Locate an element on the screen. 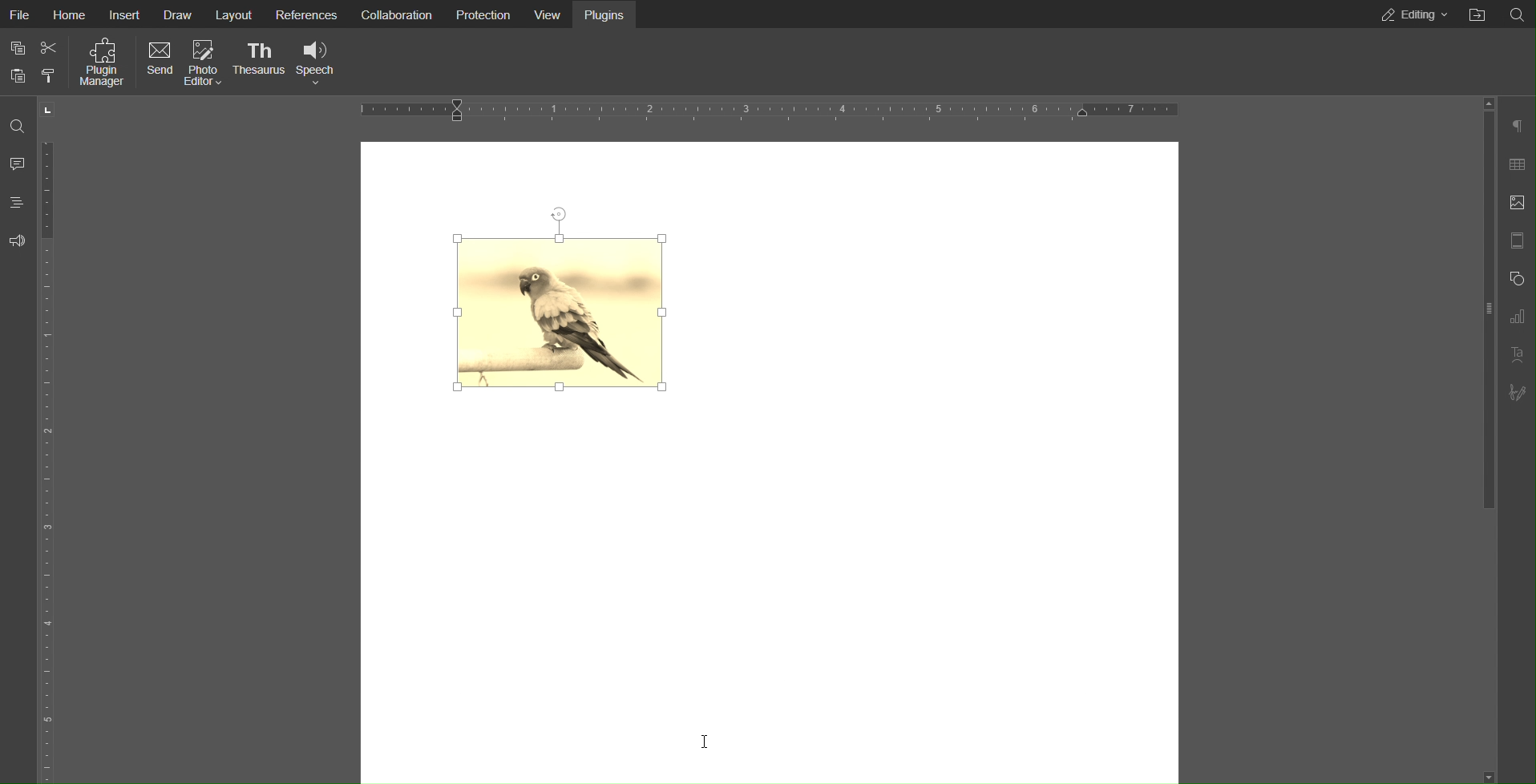  Horizontal Ruler is located at coordinates (761, 110).